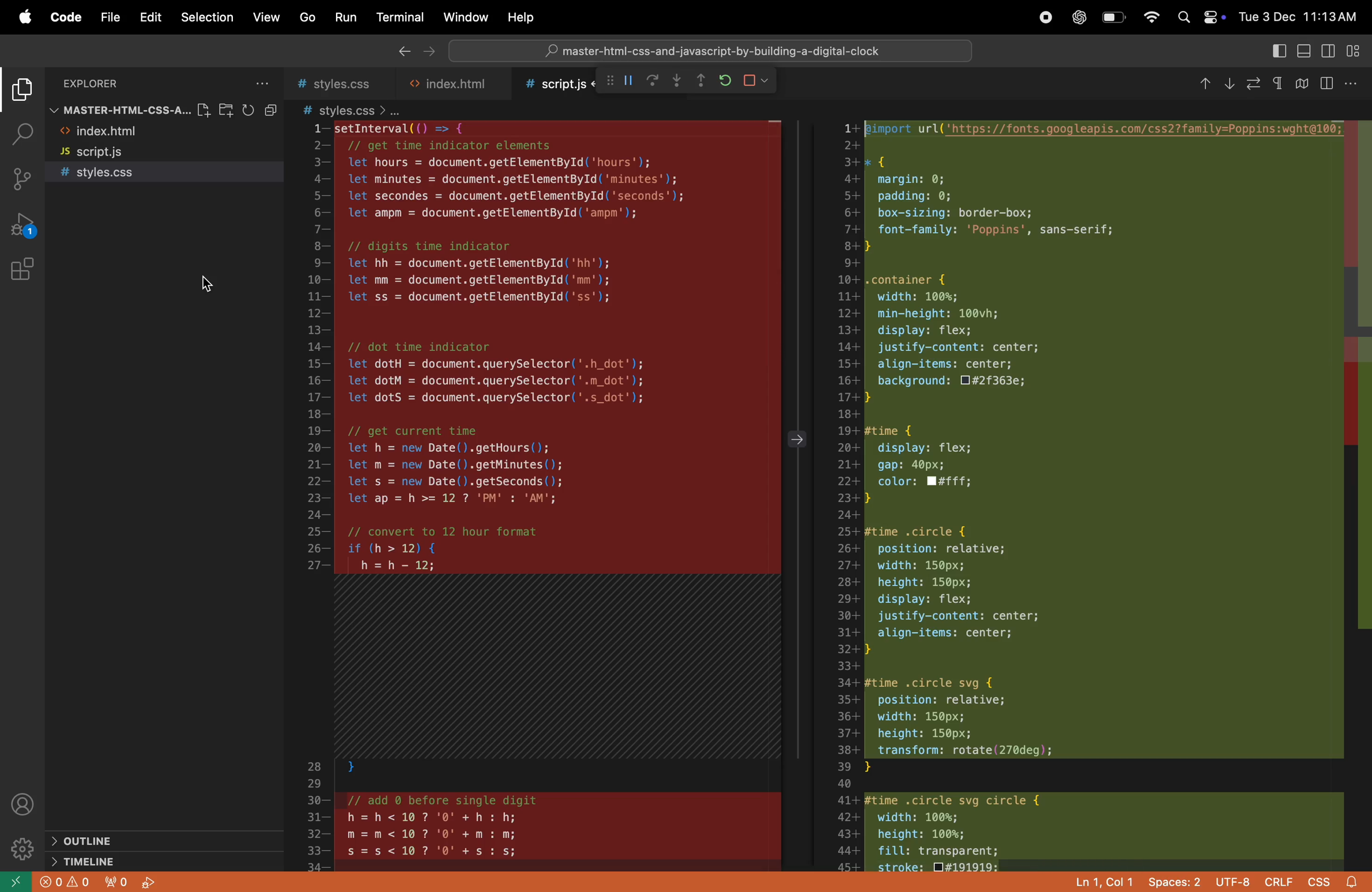 This screenshot has width=1372, height=892. Describe the element at coordinates (61, 882) in the screenshot. I see `error` at that location.